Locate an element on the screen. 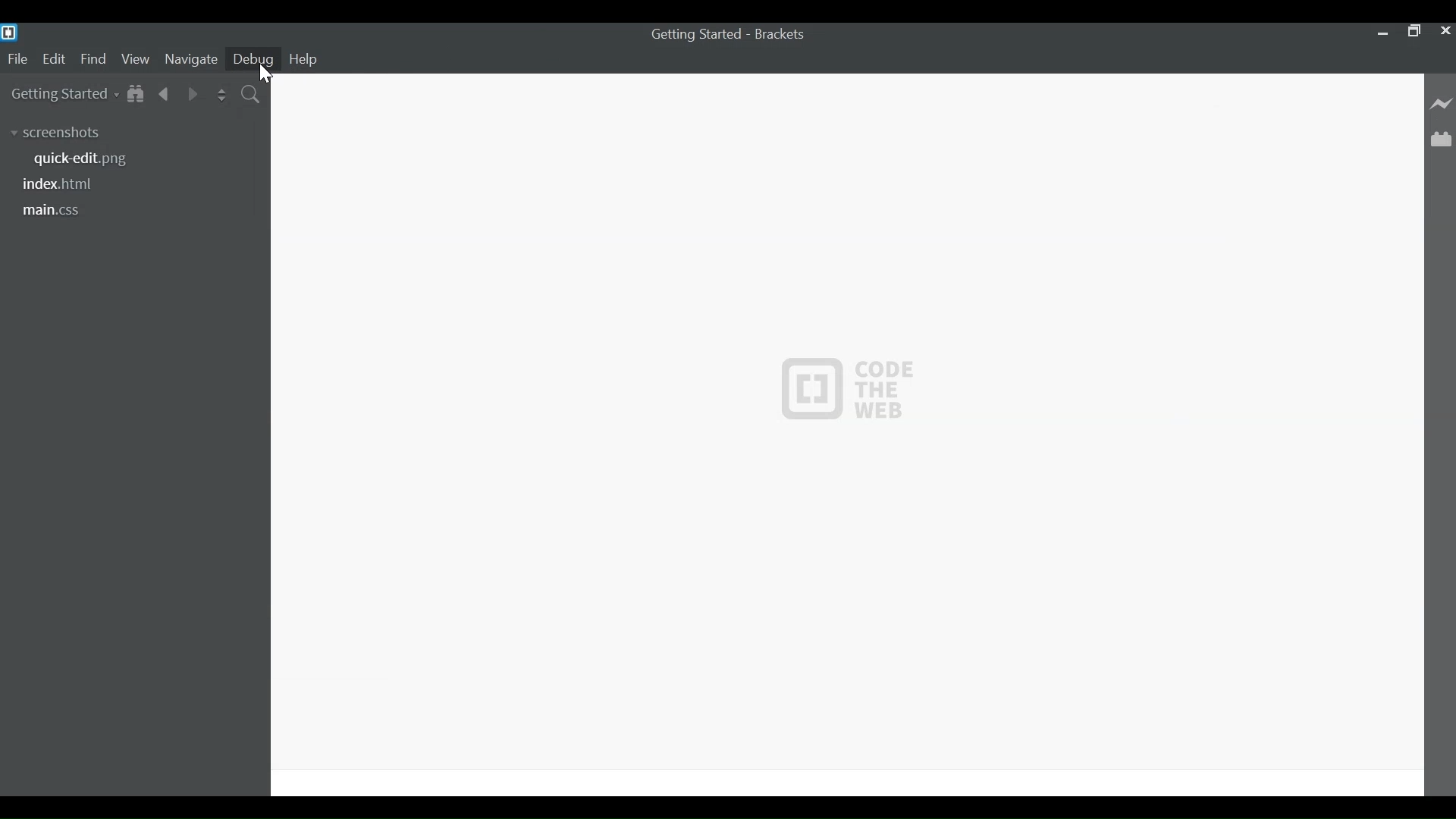  File is located at coordinates (17, 60).